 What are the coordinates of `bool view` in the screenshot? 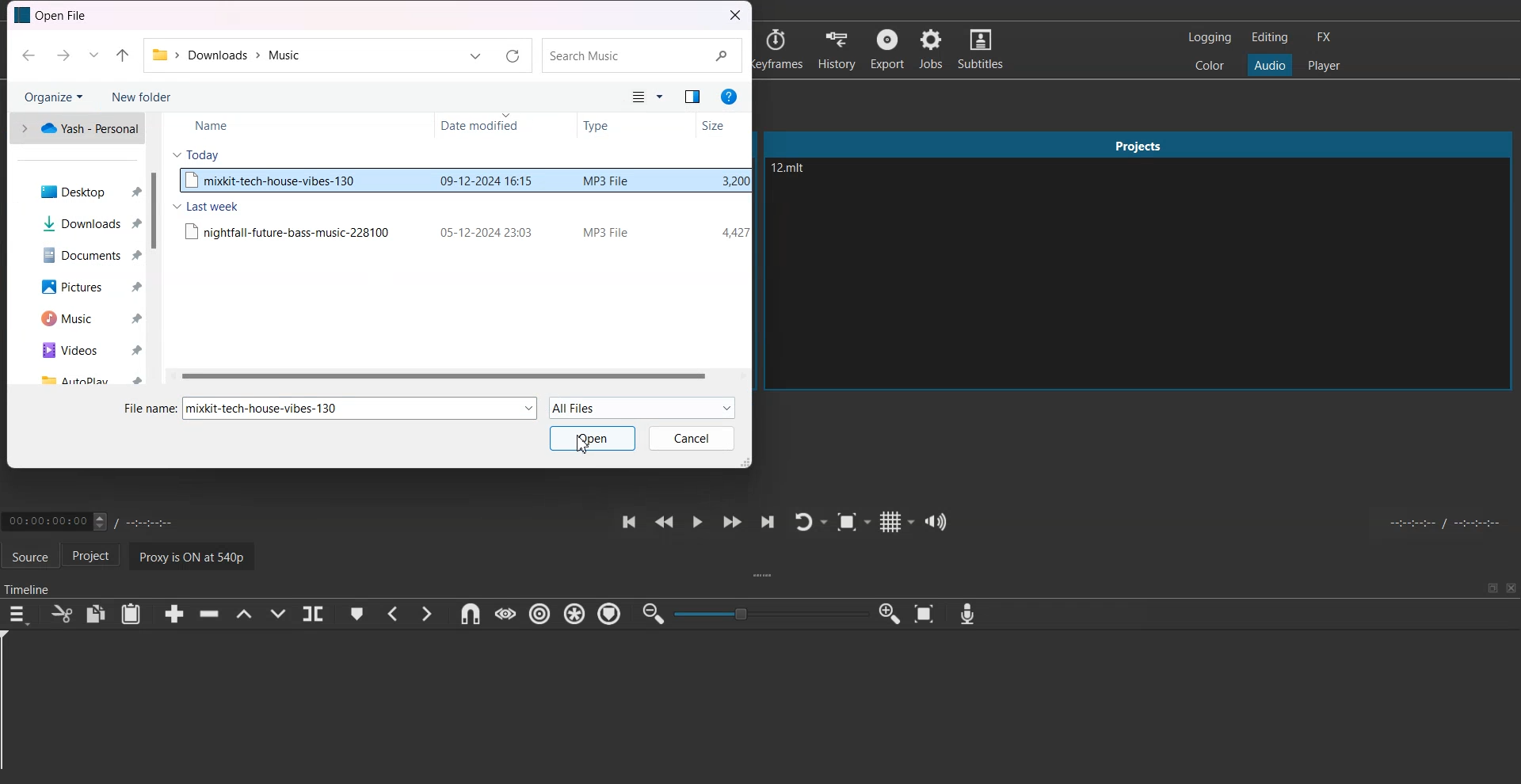 It's located at (694, 98).